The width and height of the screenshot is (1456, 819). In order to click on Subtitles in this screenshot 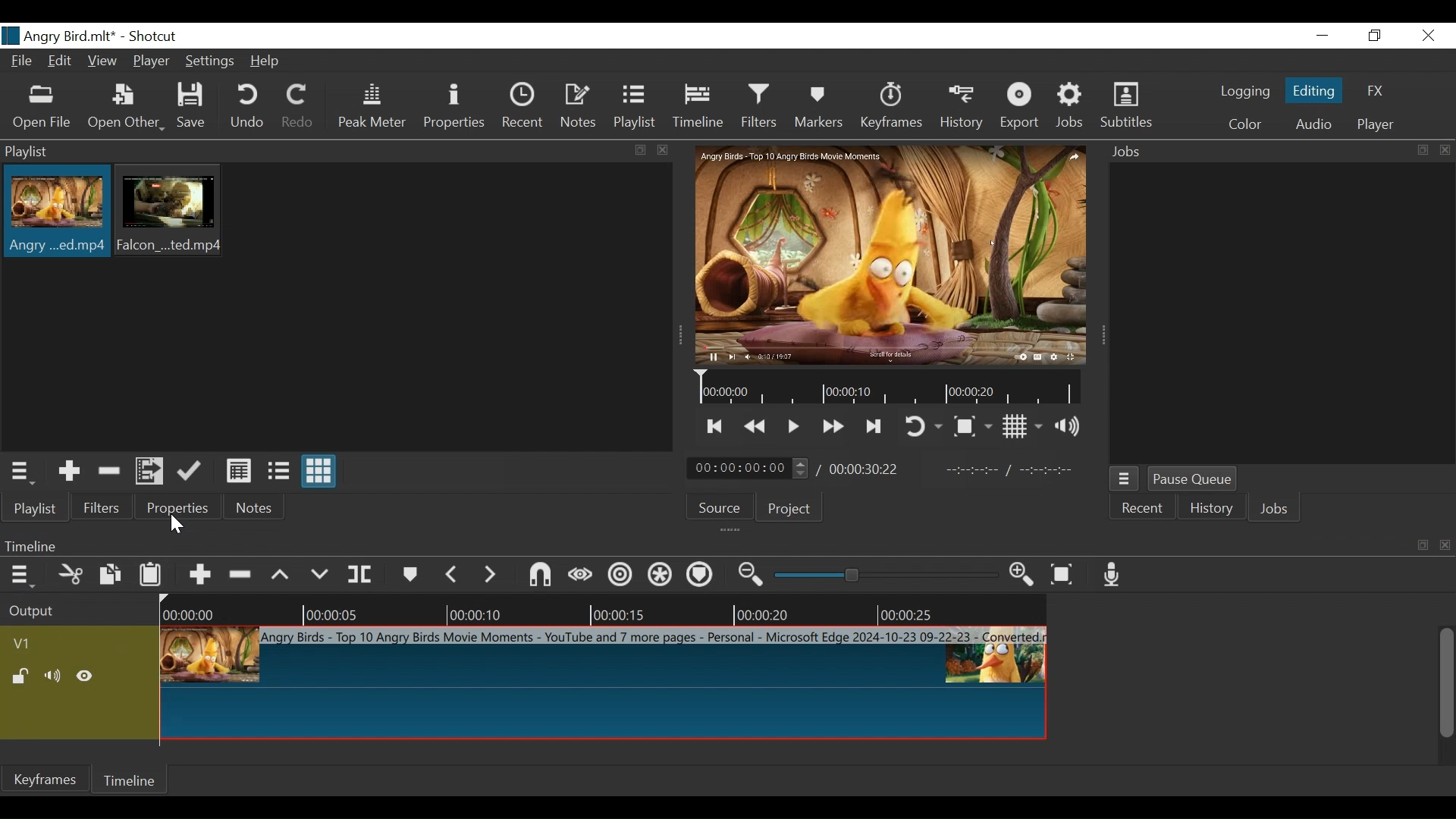, I will do `click(1129, 107)`.